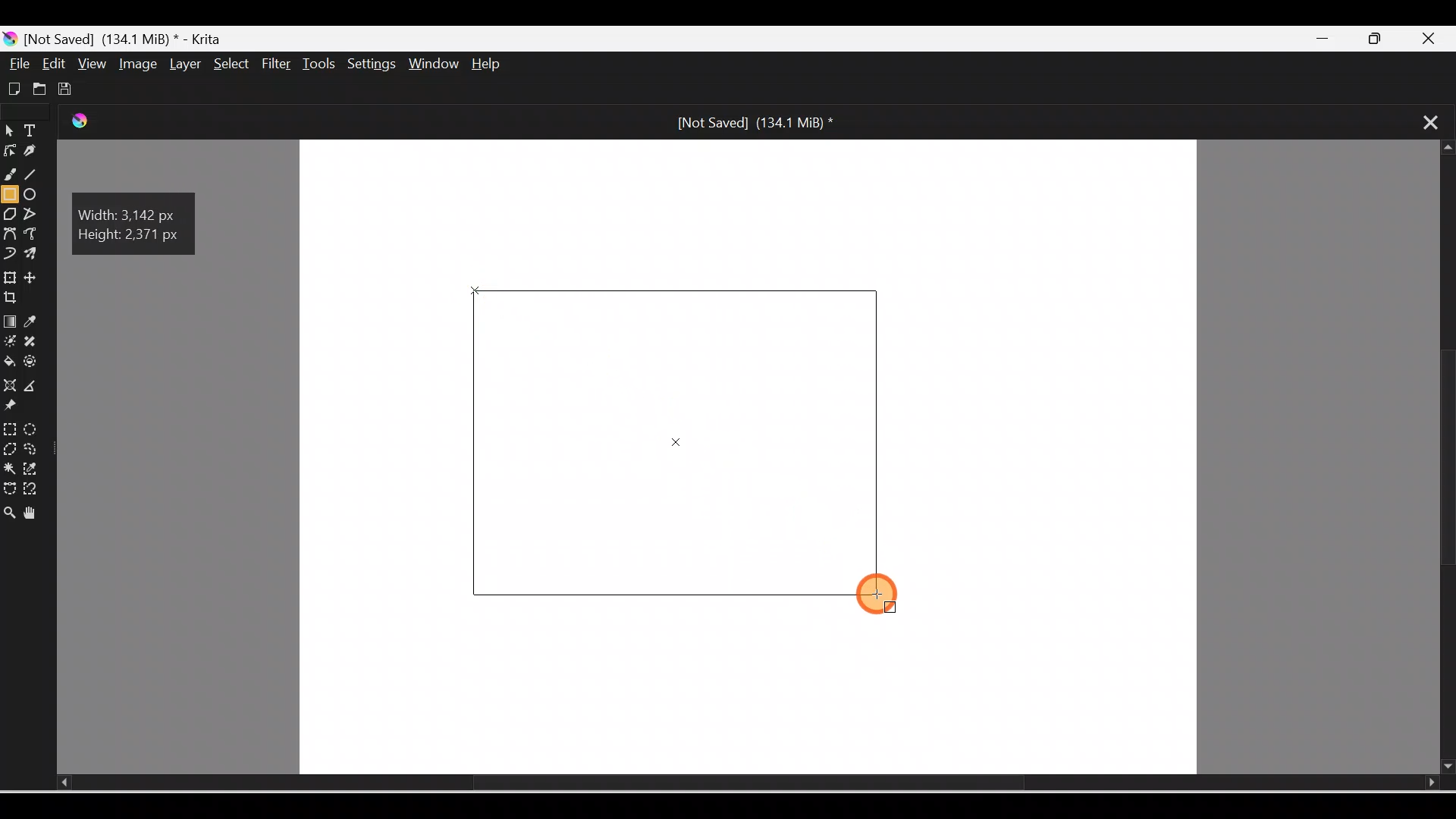  Describe the element at coordinates (10, 342) in the screenshot. I see `Colorize mask tool` at that location.